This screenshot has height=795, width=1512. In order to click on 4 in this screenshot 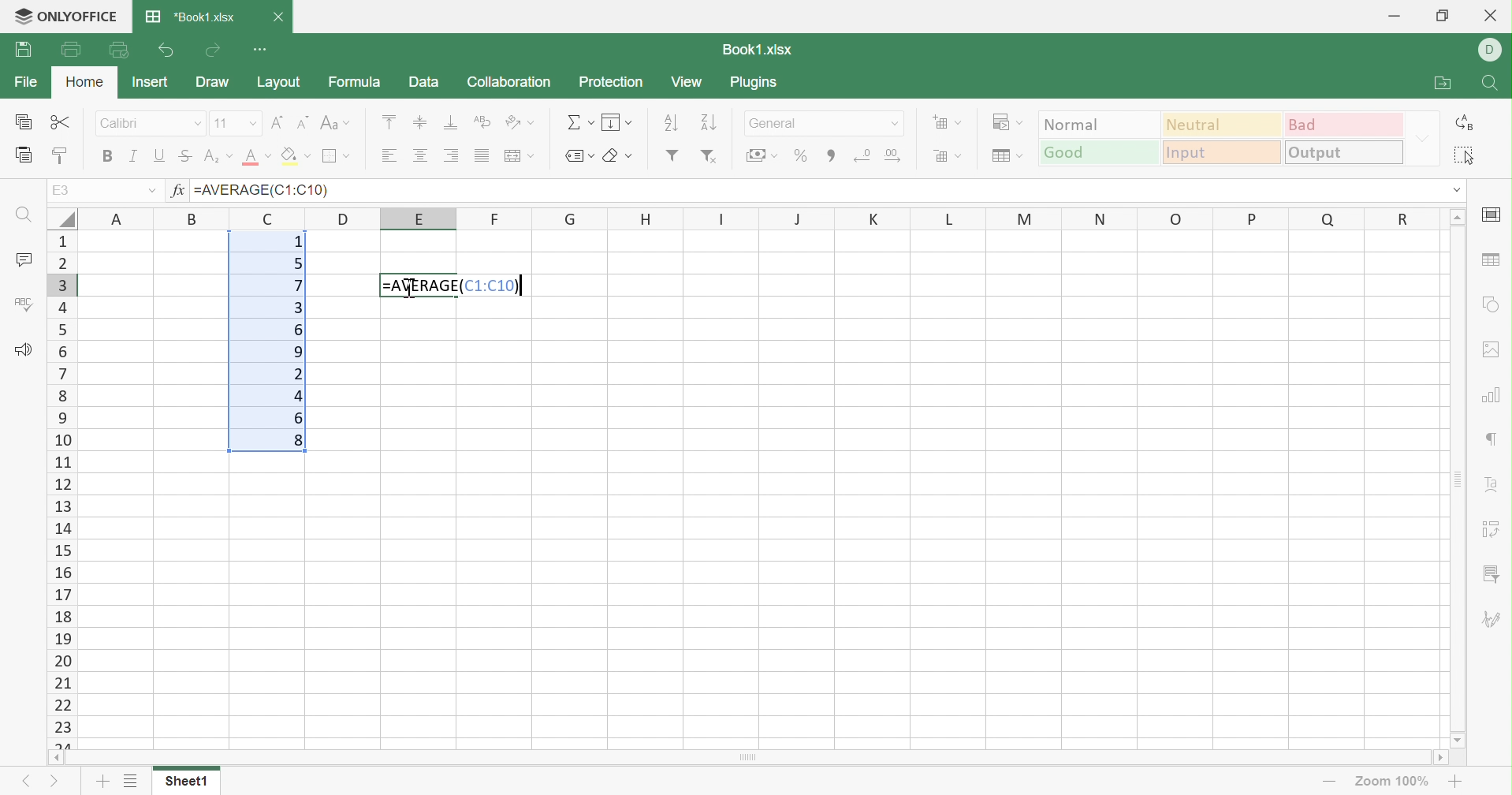, I will do `click(296, 397)`.